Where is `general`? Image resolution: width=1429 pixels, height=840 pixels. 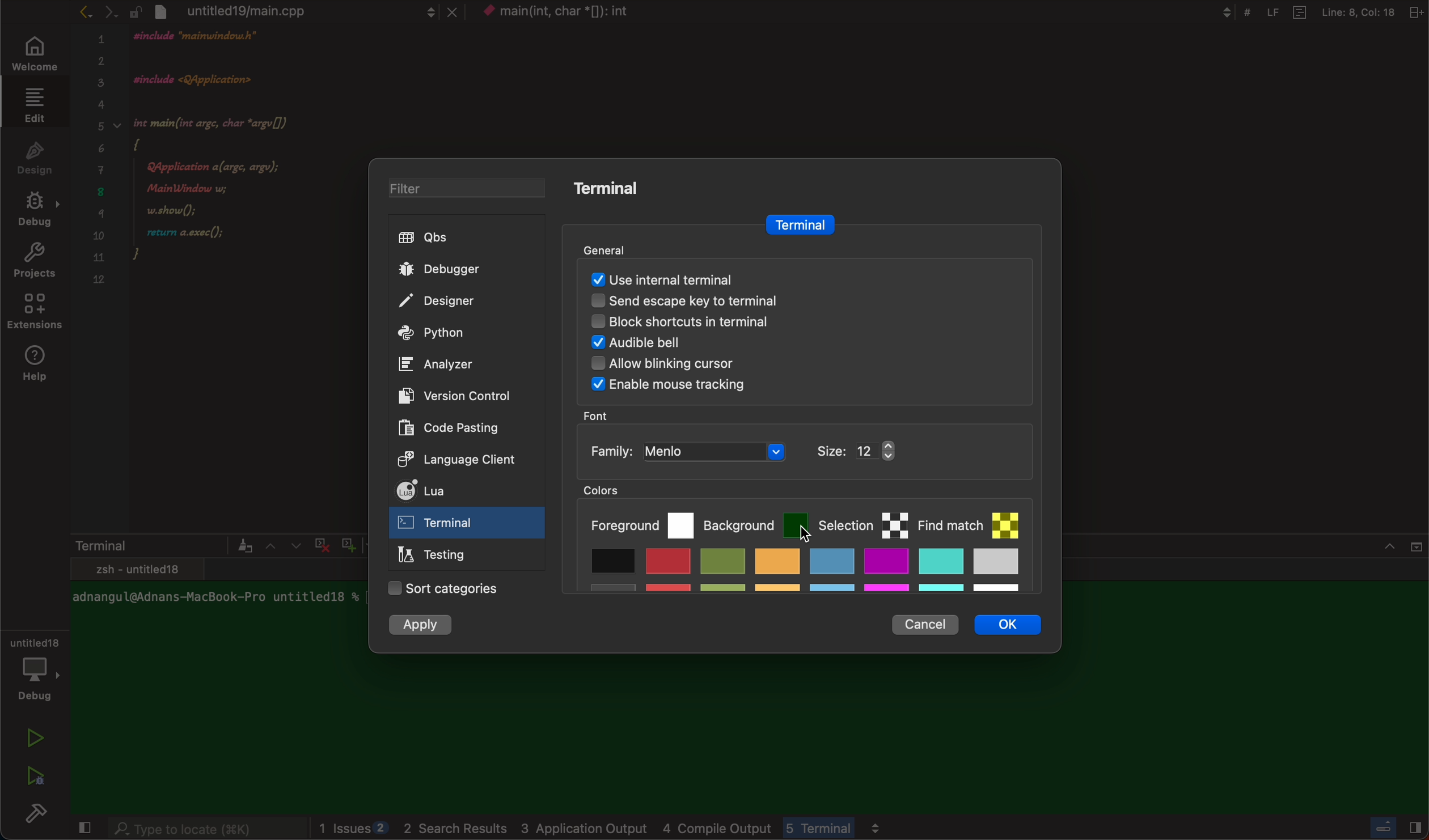
general is located at coordinates (622, 248).